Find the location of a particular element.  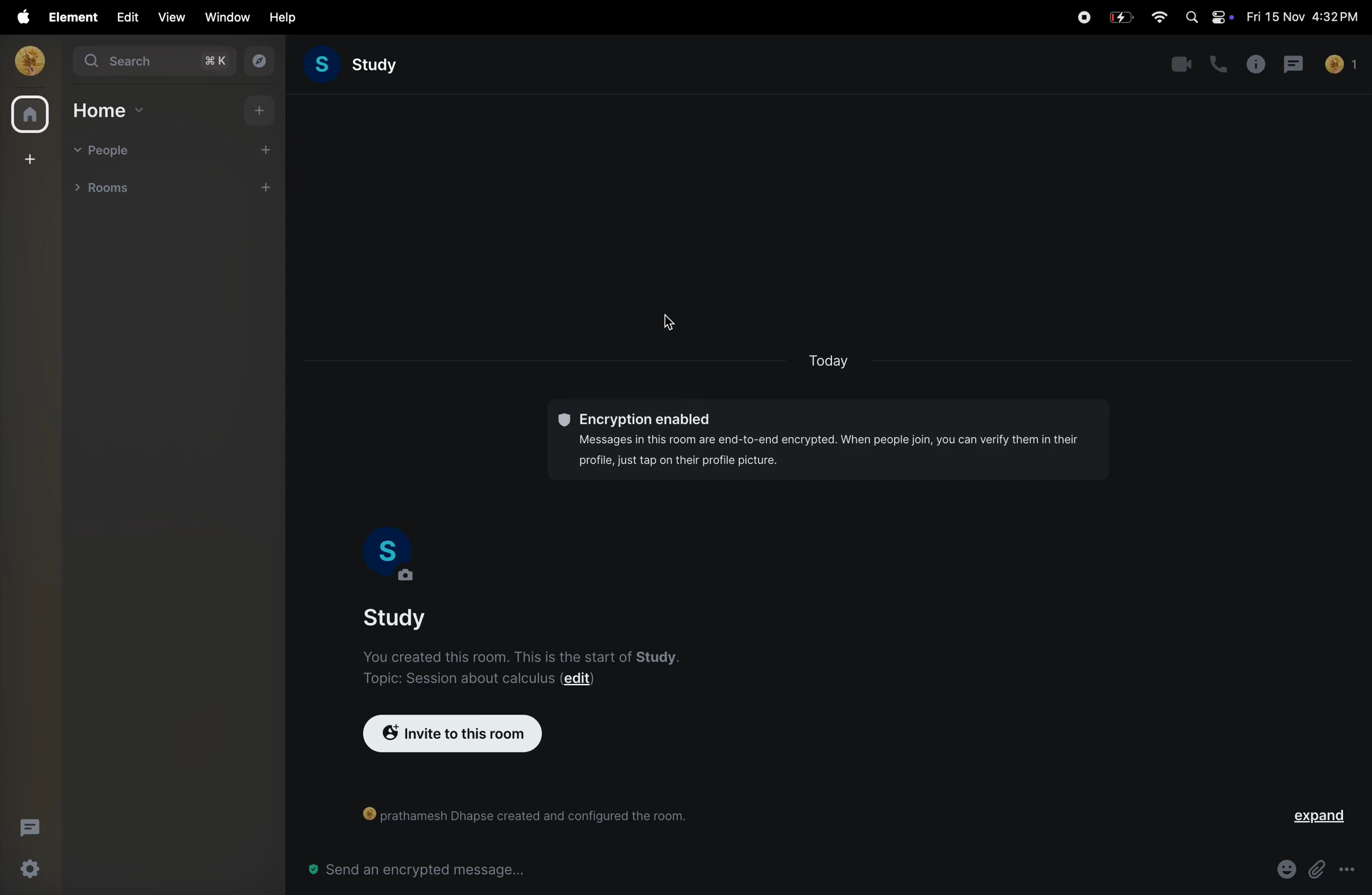

home is located at coordinates (109, 111).